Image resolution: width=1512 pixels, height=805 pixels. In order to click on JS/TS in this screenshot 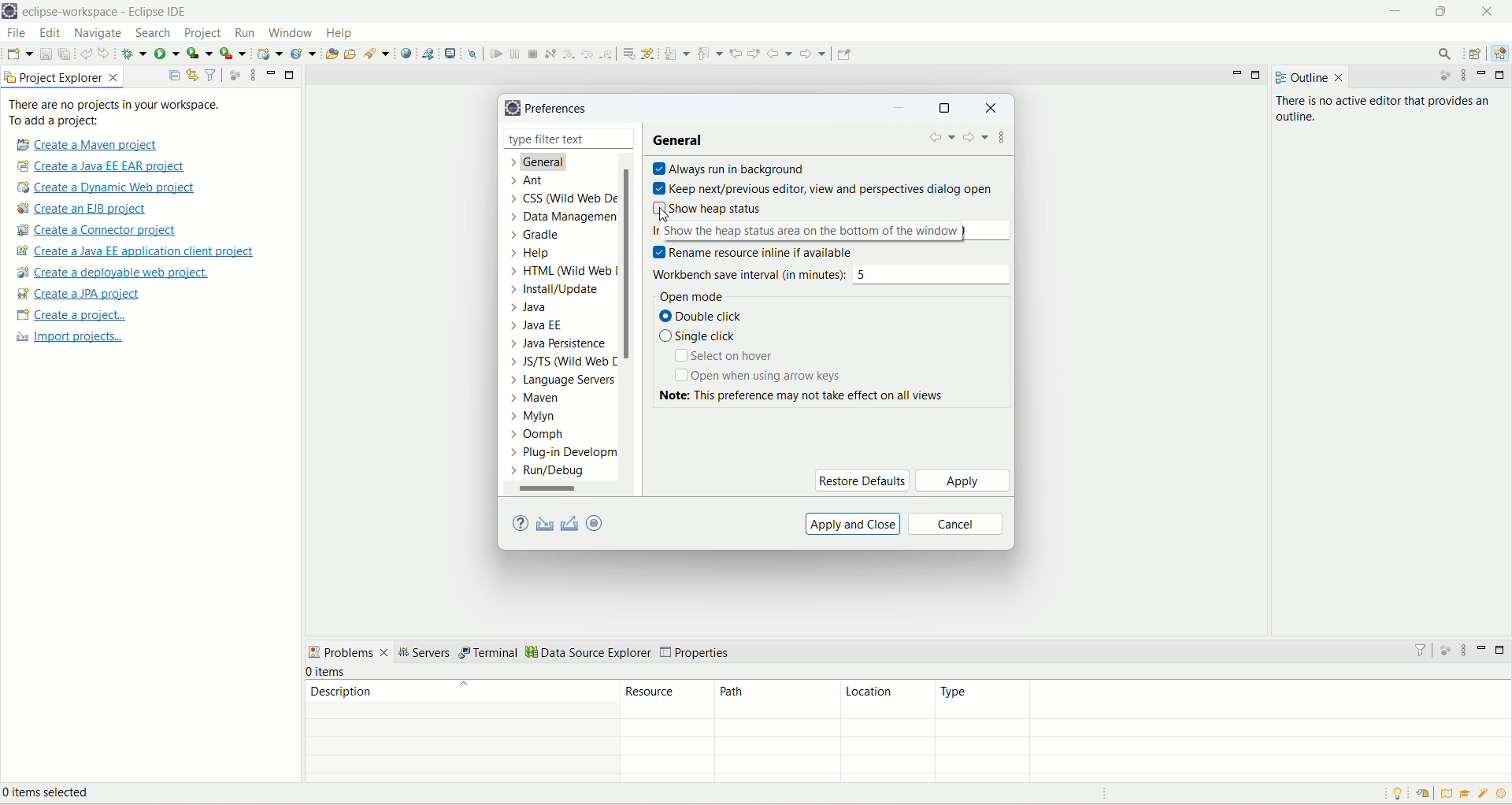, I will do `click(558, 365)`.